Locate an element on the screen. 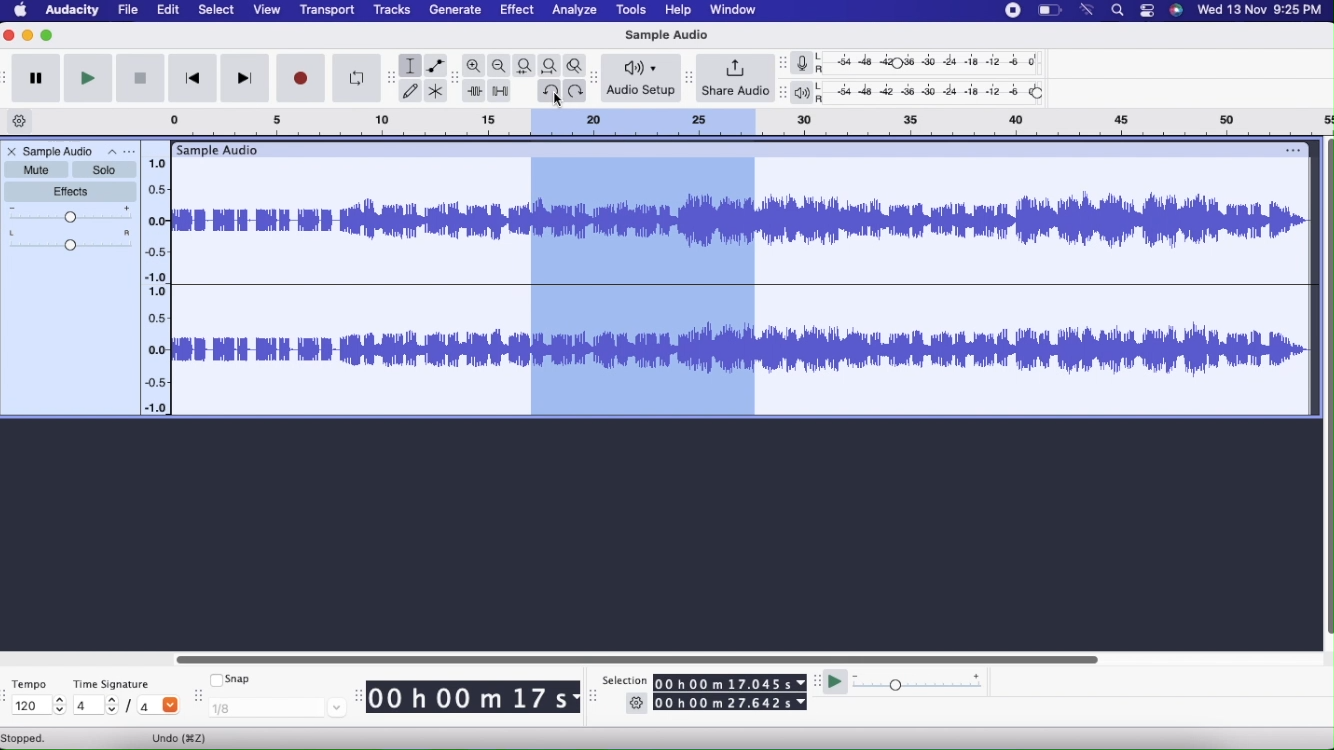 This screenshot has height=750, width=1334. 120 is located at coordinates (38, 707).